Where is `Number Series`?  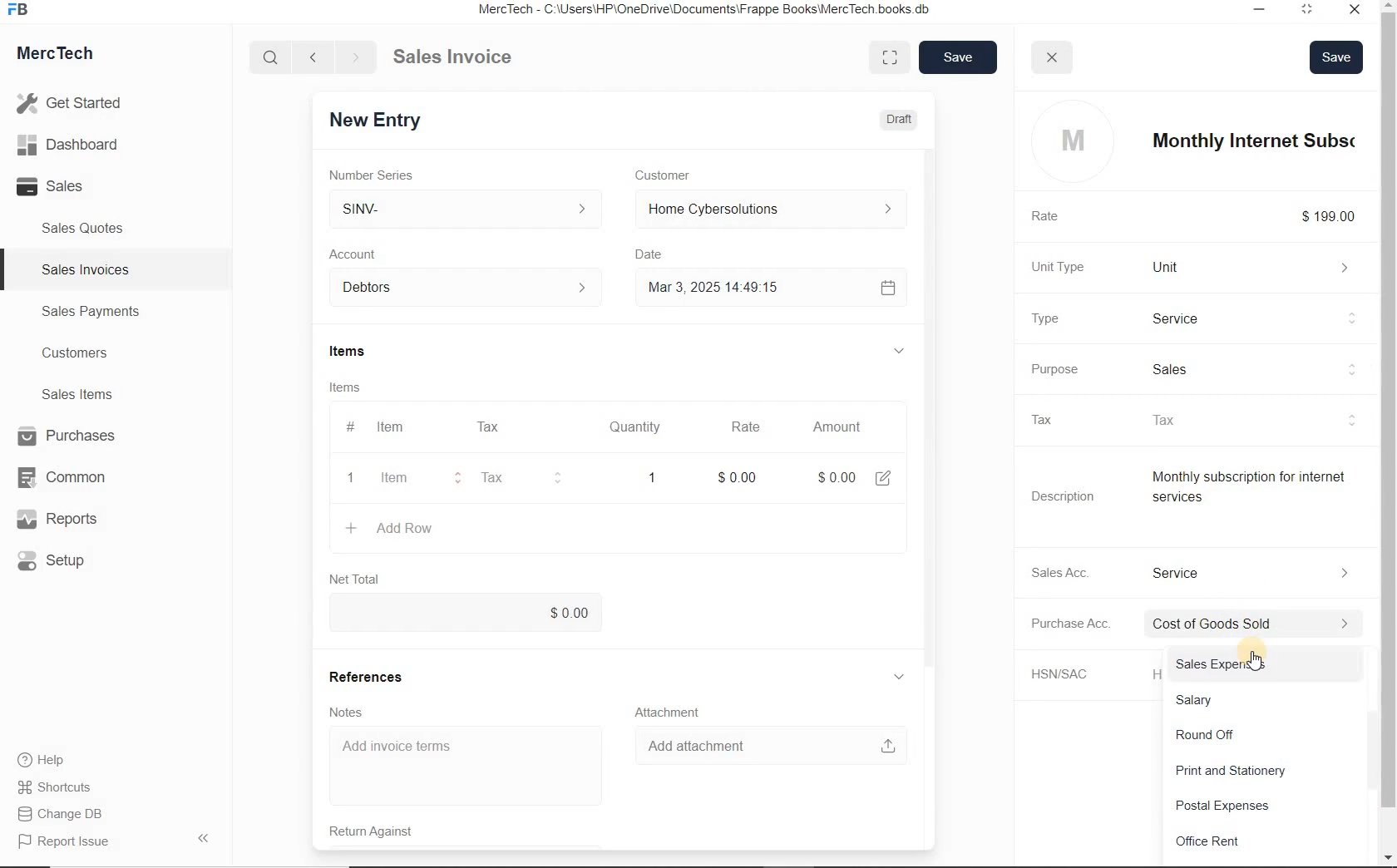 Number Series is located at coordinates (390, 173).